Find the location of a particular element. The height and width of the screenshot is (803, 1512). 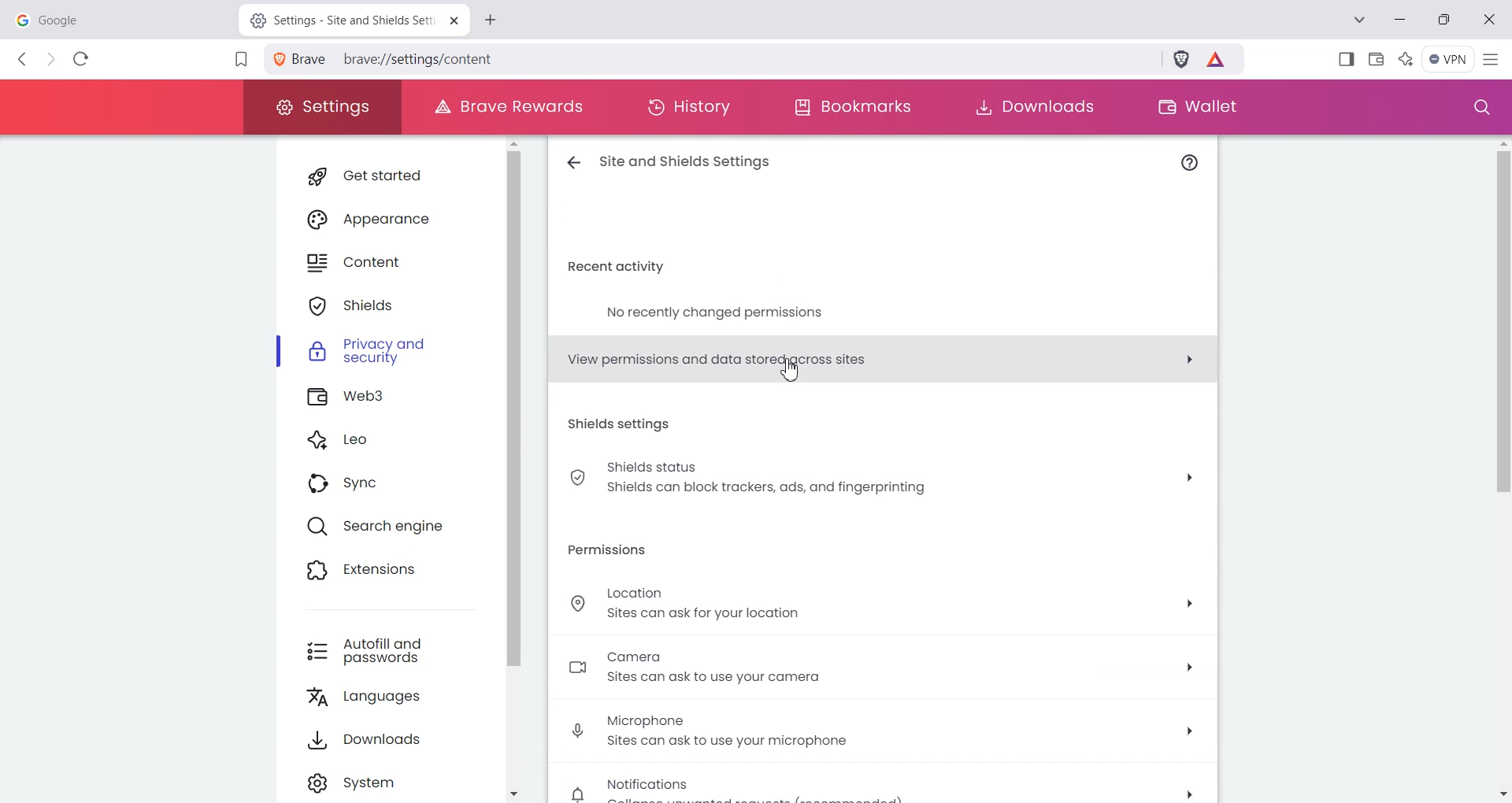

Search window is located at coordinates (1478, 108).